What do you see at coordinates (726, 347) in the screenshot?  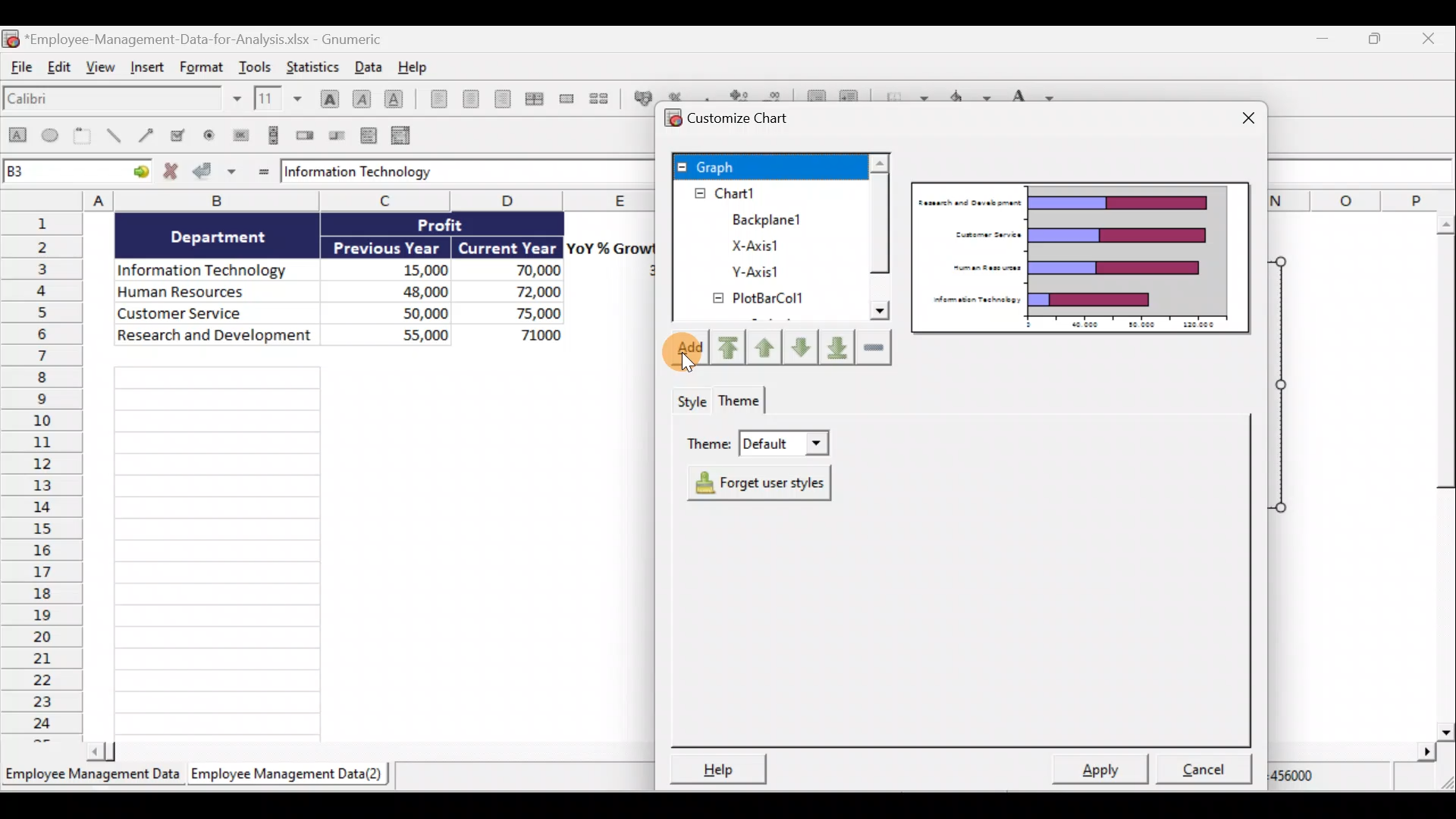 I see `Move top` at bounding box center [726, 347].